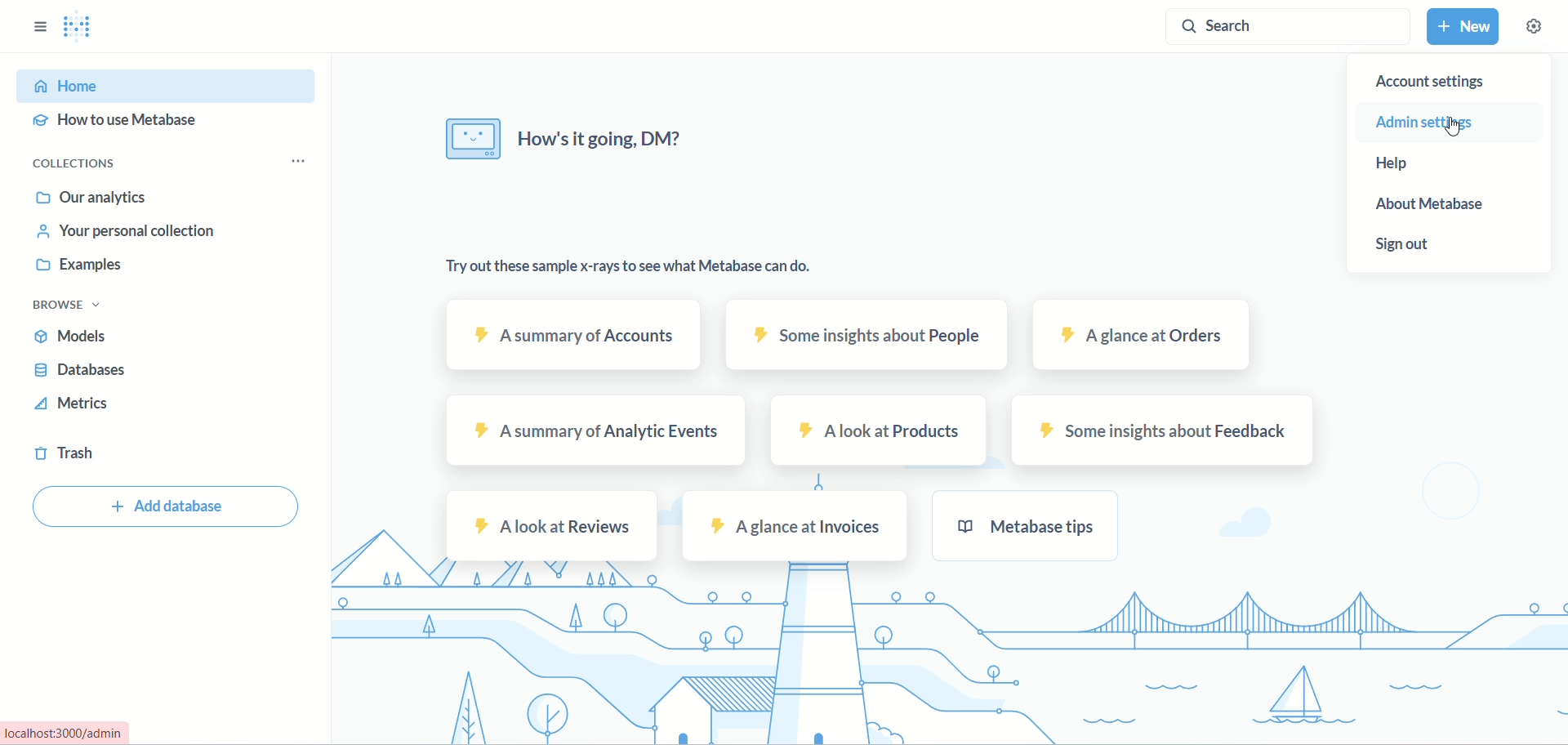 The width and height of the screenshot is (1568, 745). What do you see at coordinates (1391, 163) in the screenshot?
I see `help` at bounding box center [1391, 163].